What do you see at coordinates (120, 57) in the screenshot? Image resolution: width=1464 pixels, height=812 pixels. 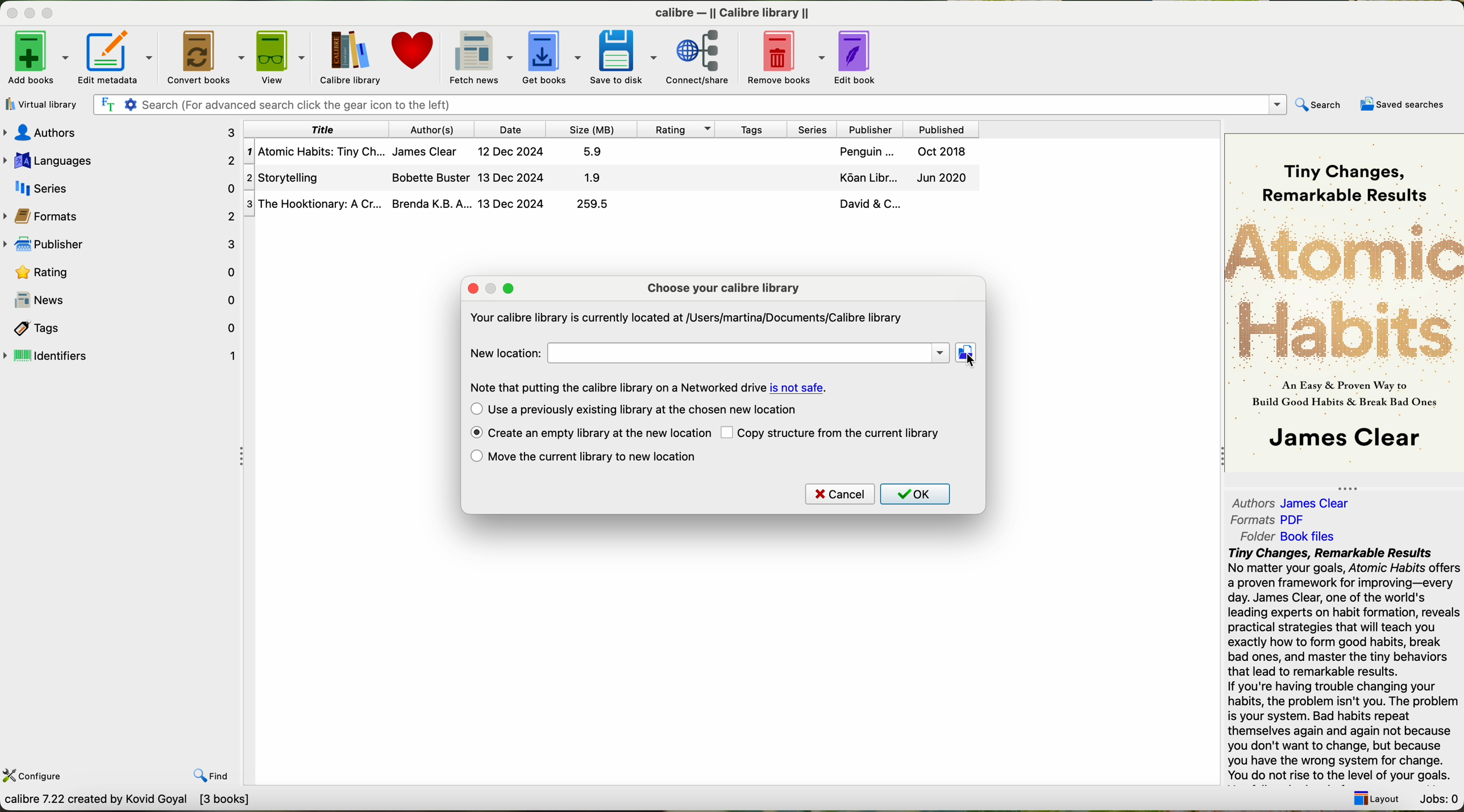 I see `edit metadata` at bounding box center [120, 57].